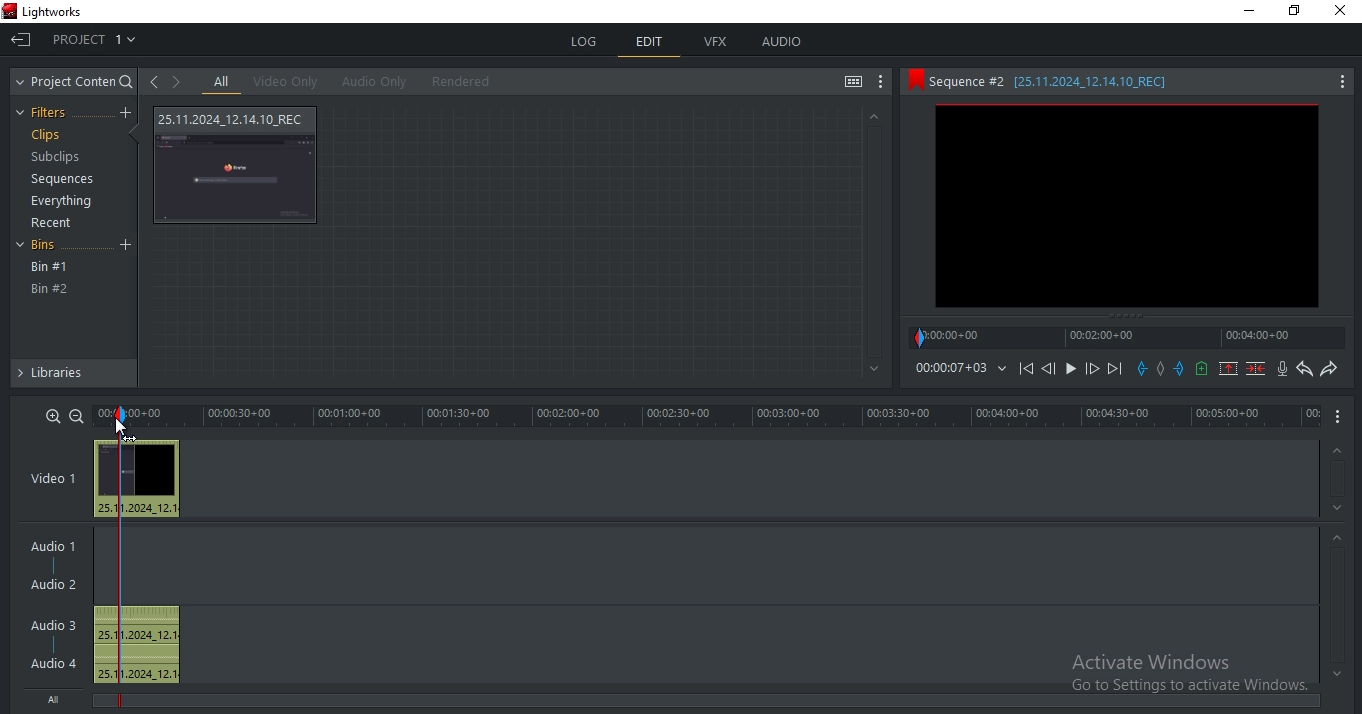 The width and height of the screenshot is (1362, 714). I want to click on Exit, so click(21, 38).